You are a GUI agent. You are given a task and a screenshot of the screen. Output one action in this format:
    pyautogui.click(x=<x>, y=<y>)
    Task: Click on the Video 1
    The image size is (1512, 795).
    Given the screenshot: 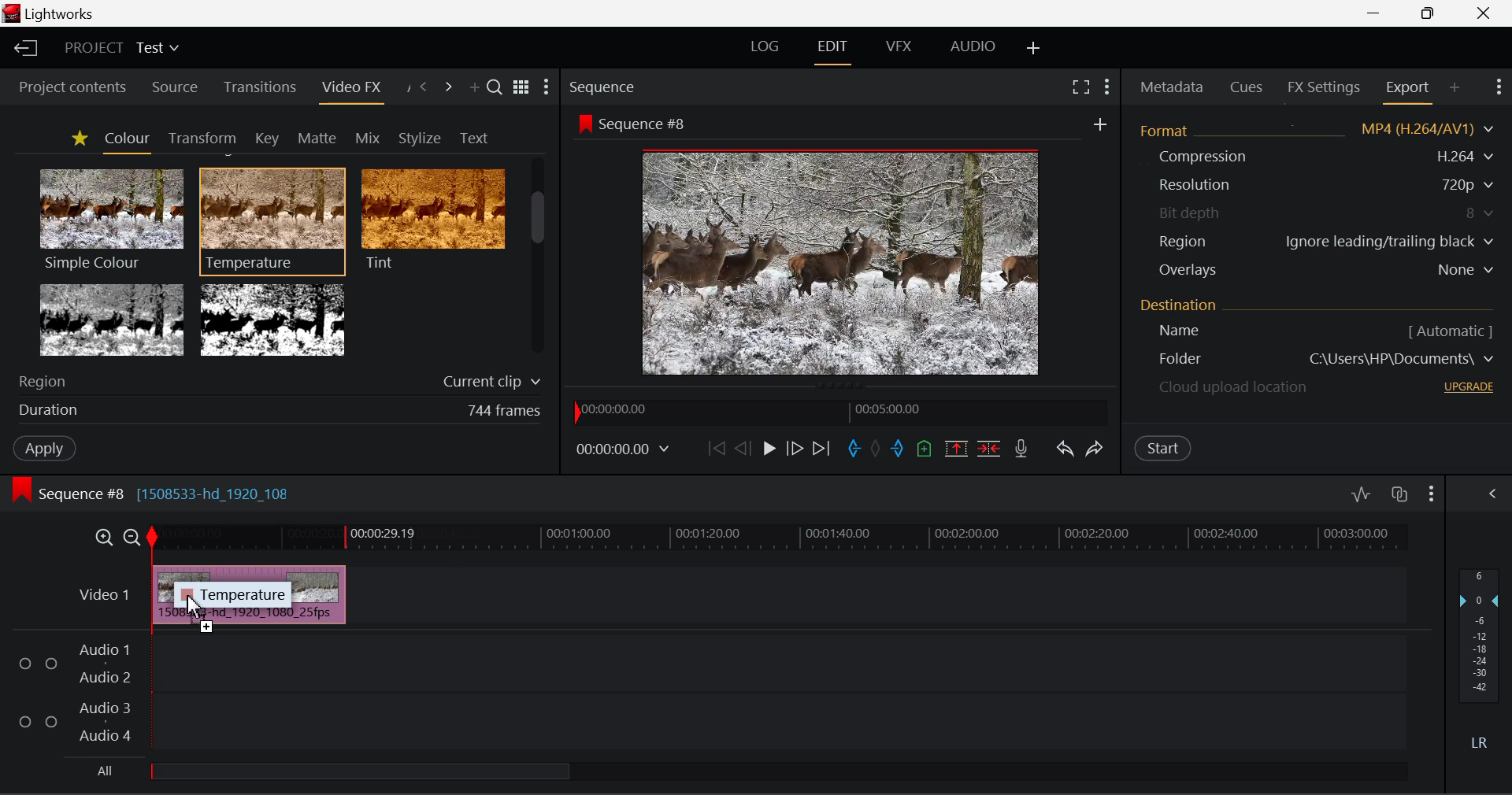 What is the action you would take?
    pyautogui.click(x=103, y=595)
    